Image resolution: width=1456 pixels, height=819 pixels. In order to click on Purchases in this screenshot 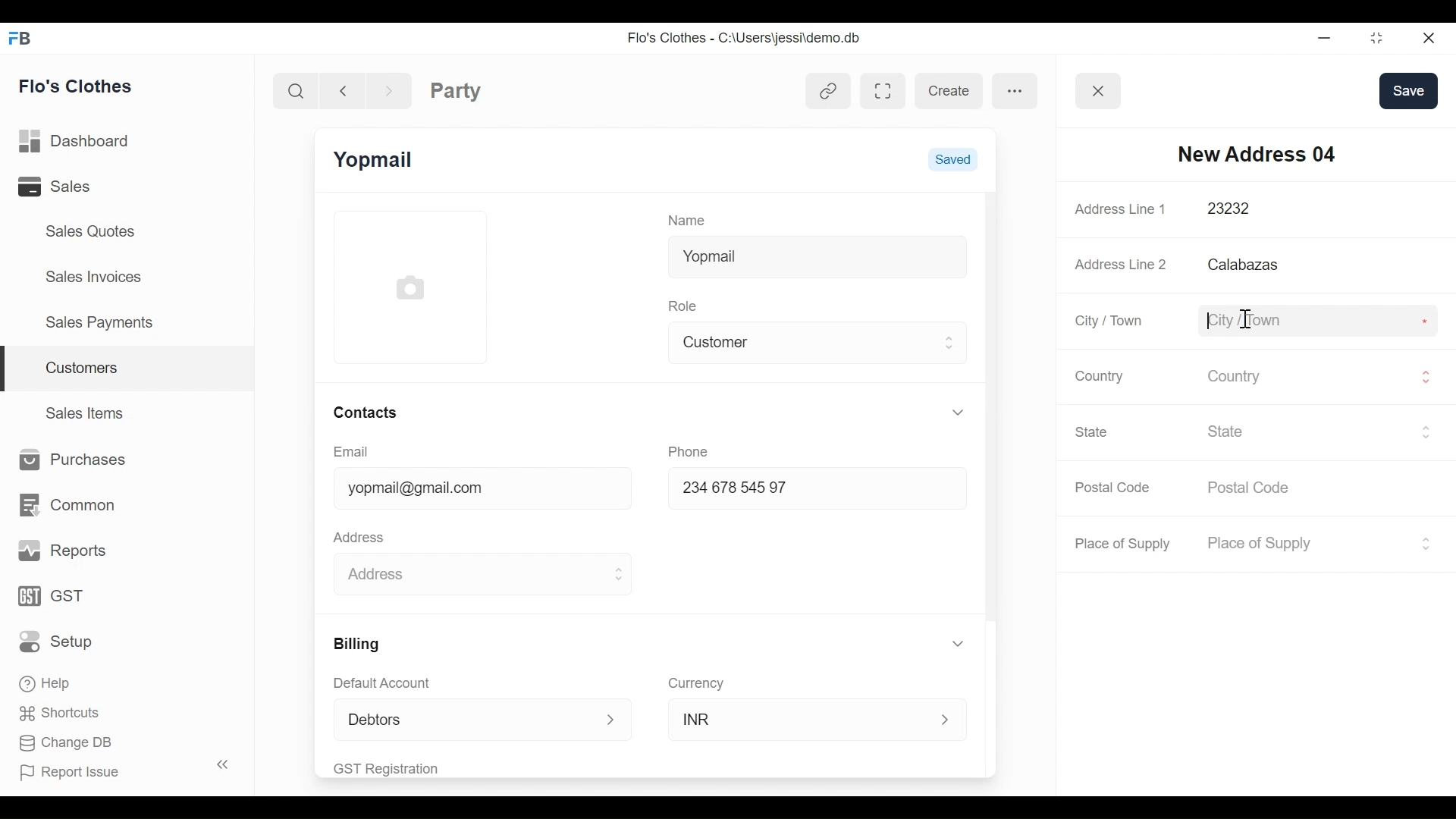, I will do `click(68, 460)`.